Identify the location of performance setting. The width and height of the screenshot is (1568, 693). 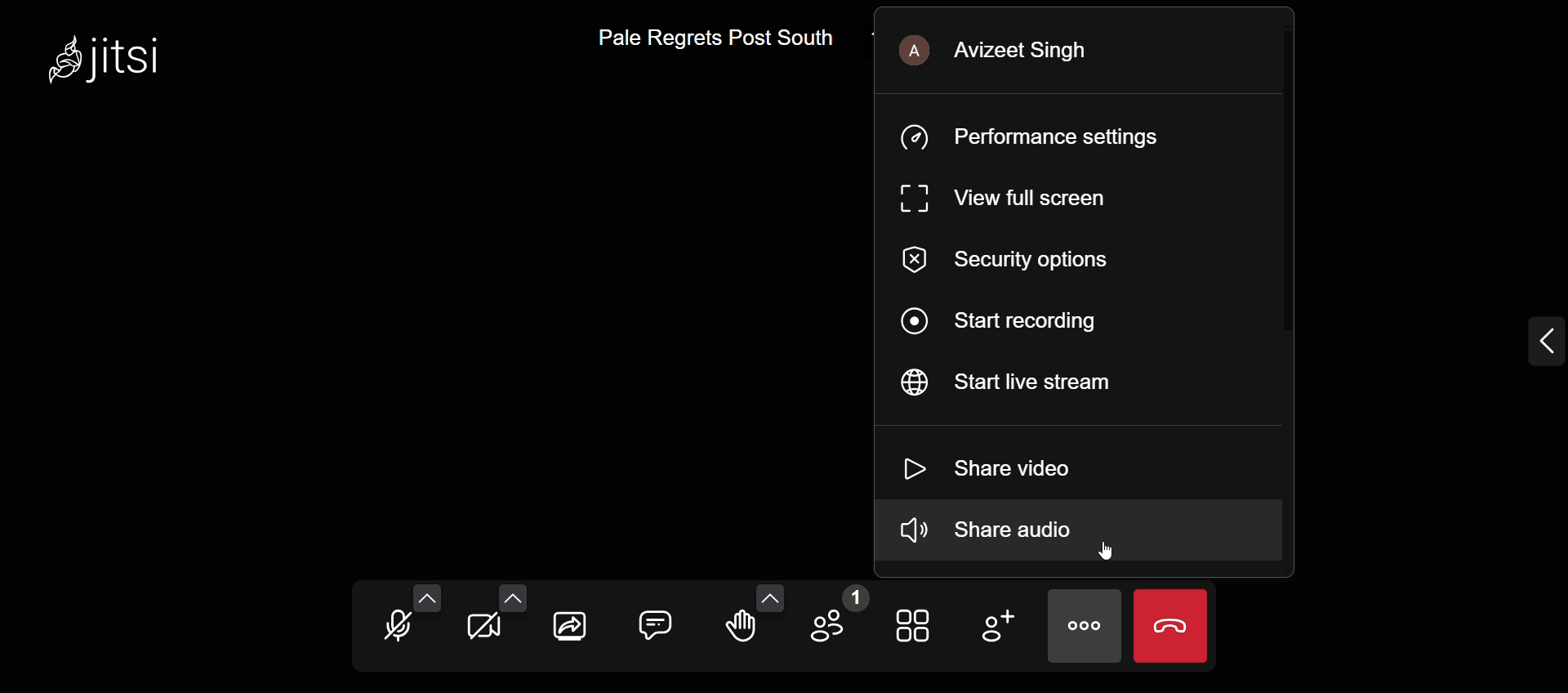
(1050, 137).